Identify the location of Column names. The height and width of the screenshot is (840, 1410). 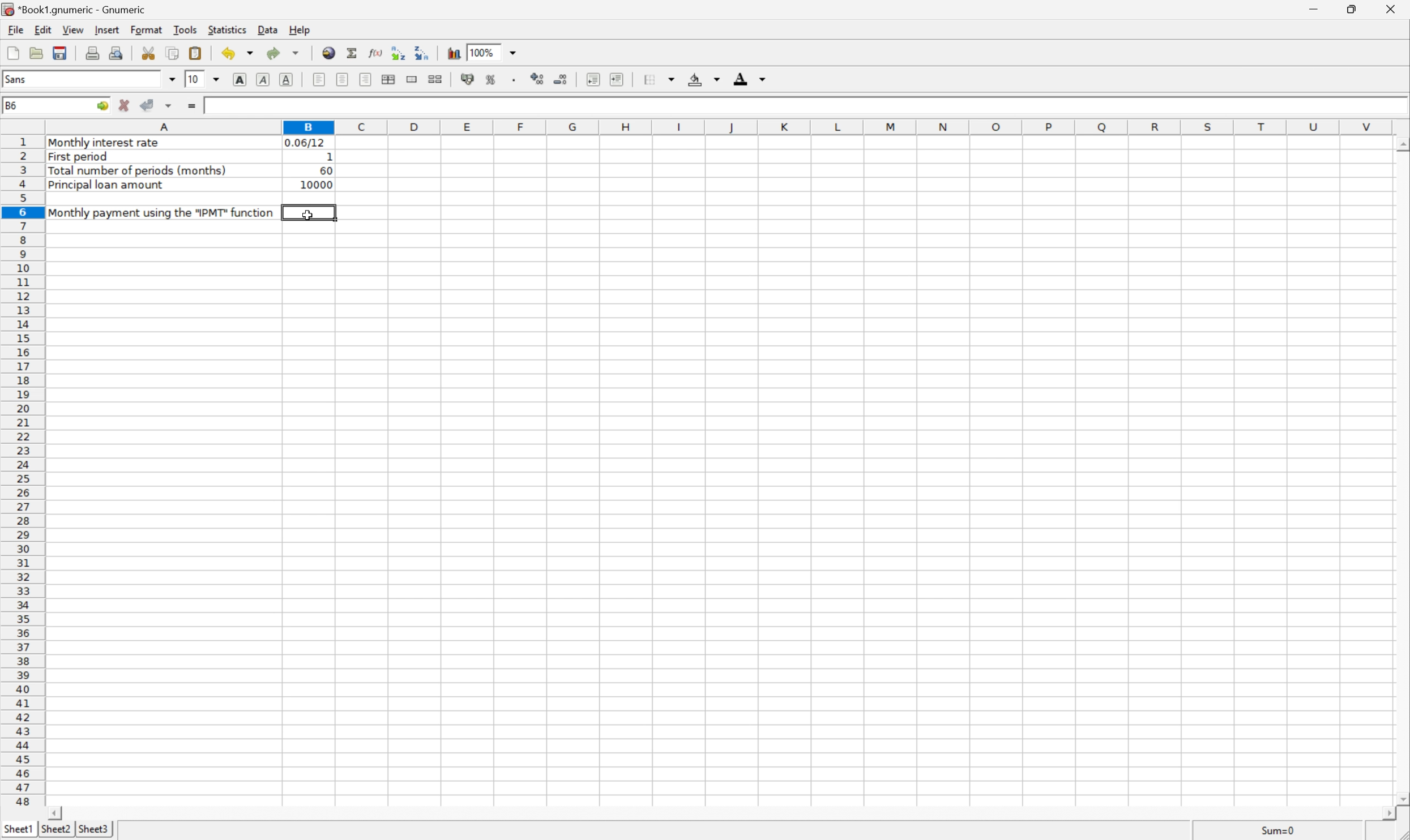
(719, 128).